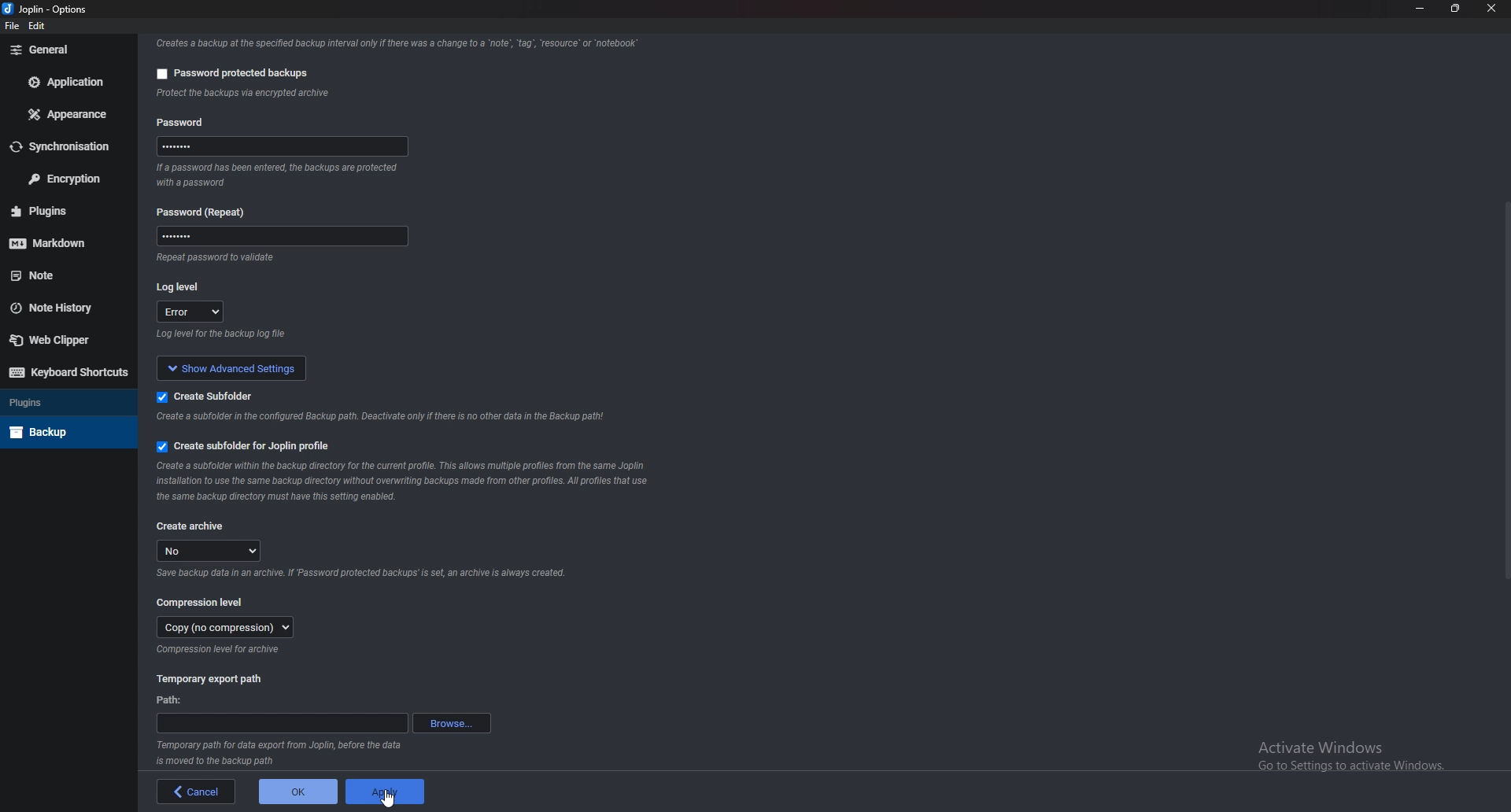 This screenshot has height=812, width=1511. Describe the element at coordinates (67, 241) in the screenshot. I see `Markdown` at that location.